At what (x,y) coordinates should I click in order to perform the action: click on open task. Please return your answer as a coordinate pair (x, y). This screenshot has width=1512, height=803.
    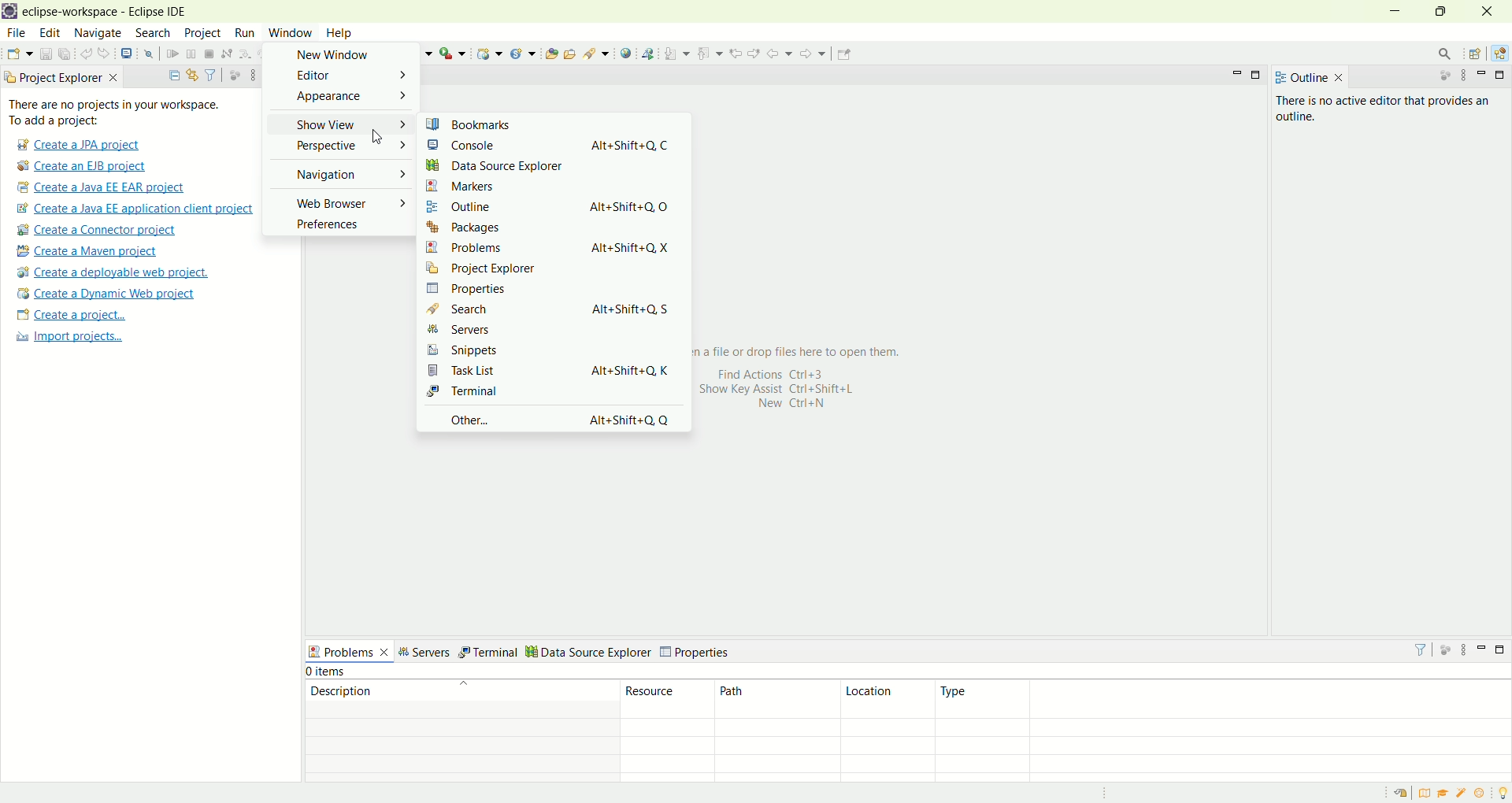
    Looking at the image, I should click on (570, 54).